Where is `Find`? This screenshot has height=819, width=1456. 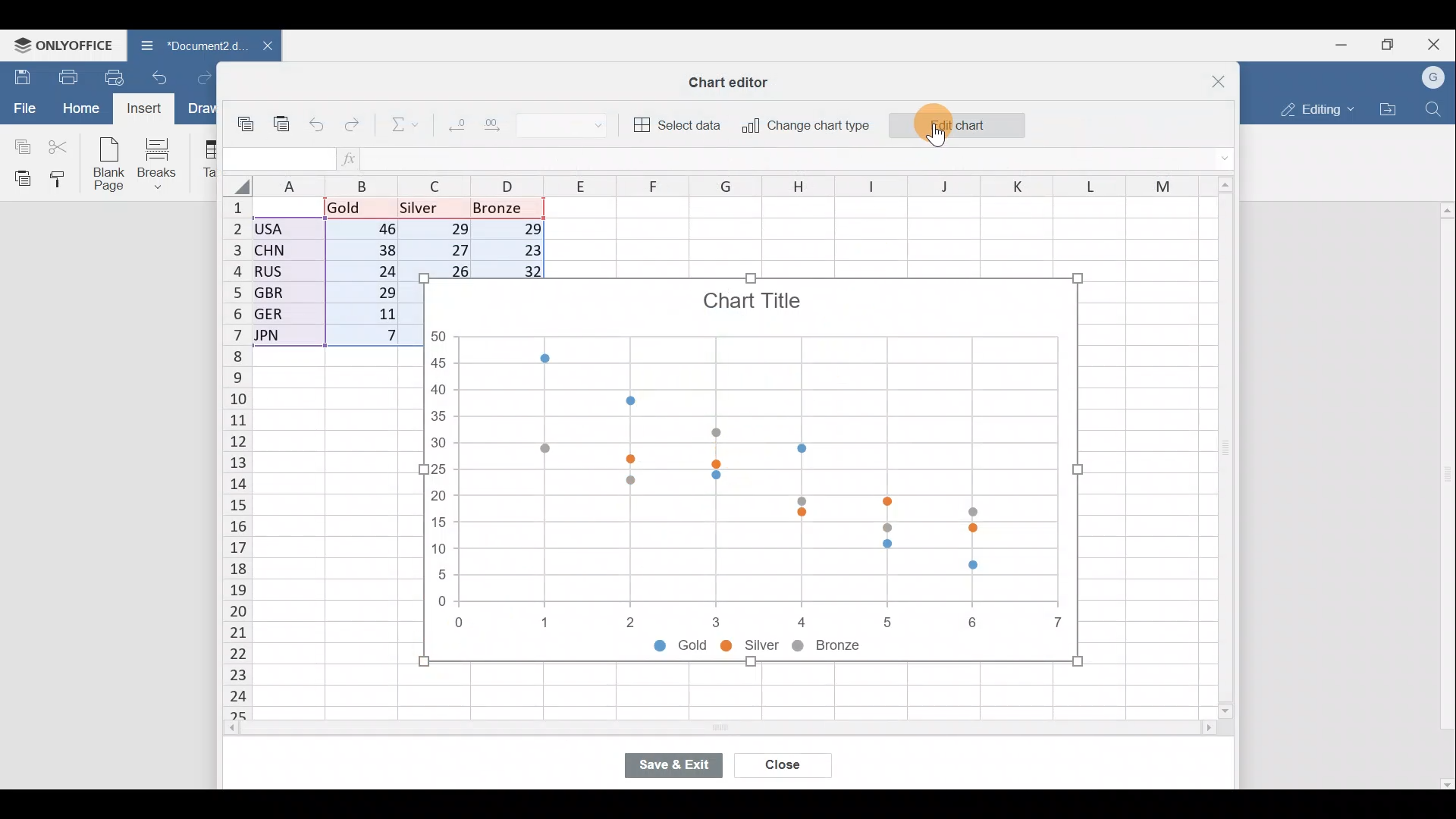 Find is located at coordinates (1434, 109).